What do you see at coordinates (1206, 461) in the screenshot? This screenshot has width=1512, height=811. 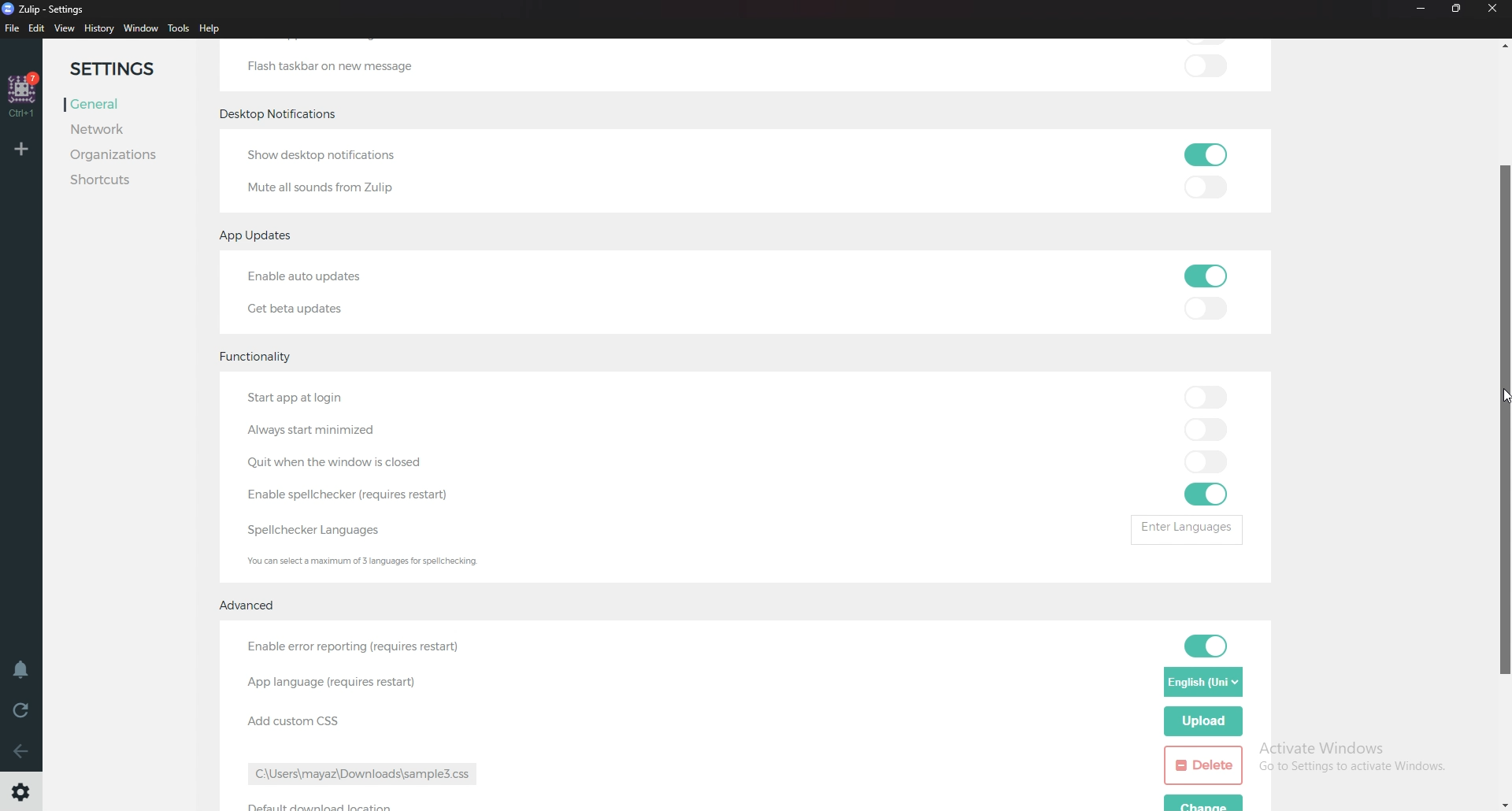 I see `toggle` at bounding box center [1206, 461].